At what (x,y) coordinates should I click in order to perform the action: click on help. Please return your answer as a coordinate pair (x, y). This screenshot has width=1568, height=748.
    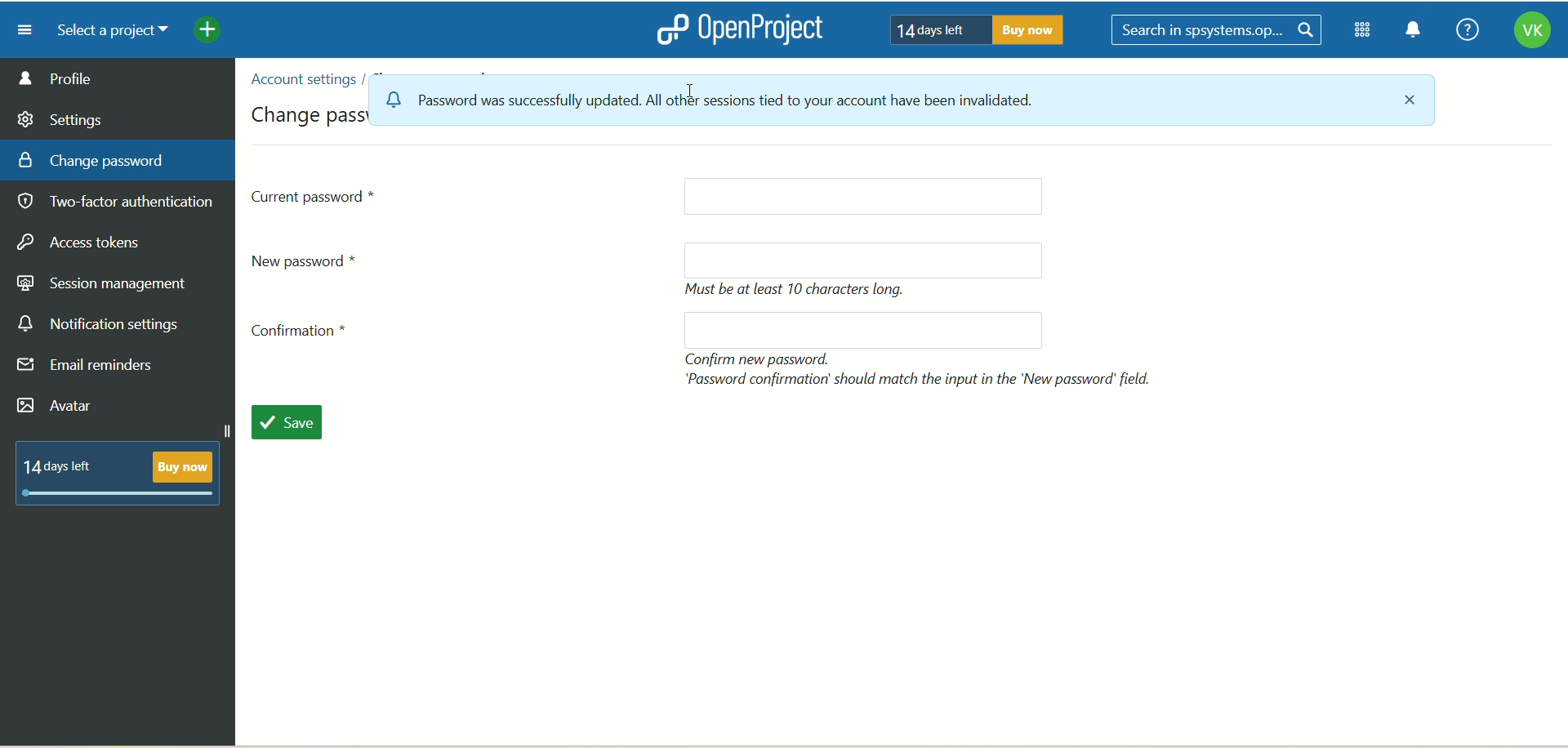
    Looking at the image, I should click on (1463, 31).